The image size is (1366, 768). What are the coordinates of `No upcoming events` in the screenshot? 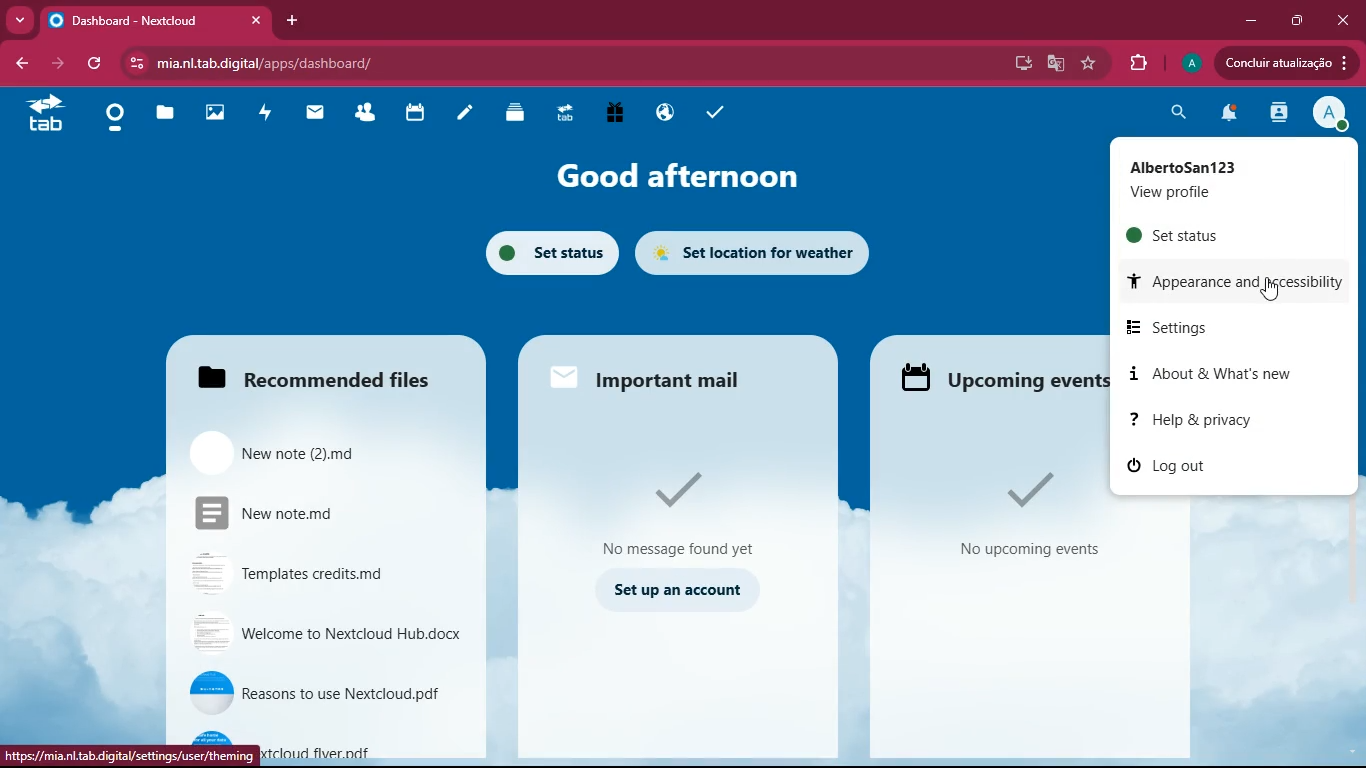 It's located at (1030, 499).